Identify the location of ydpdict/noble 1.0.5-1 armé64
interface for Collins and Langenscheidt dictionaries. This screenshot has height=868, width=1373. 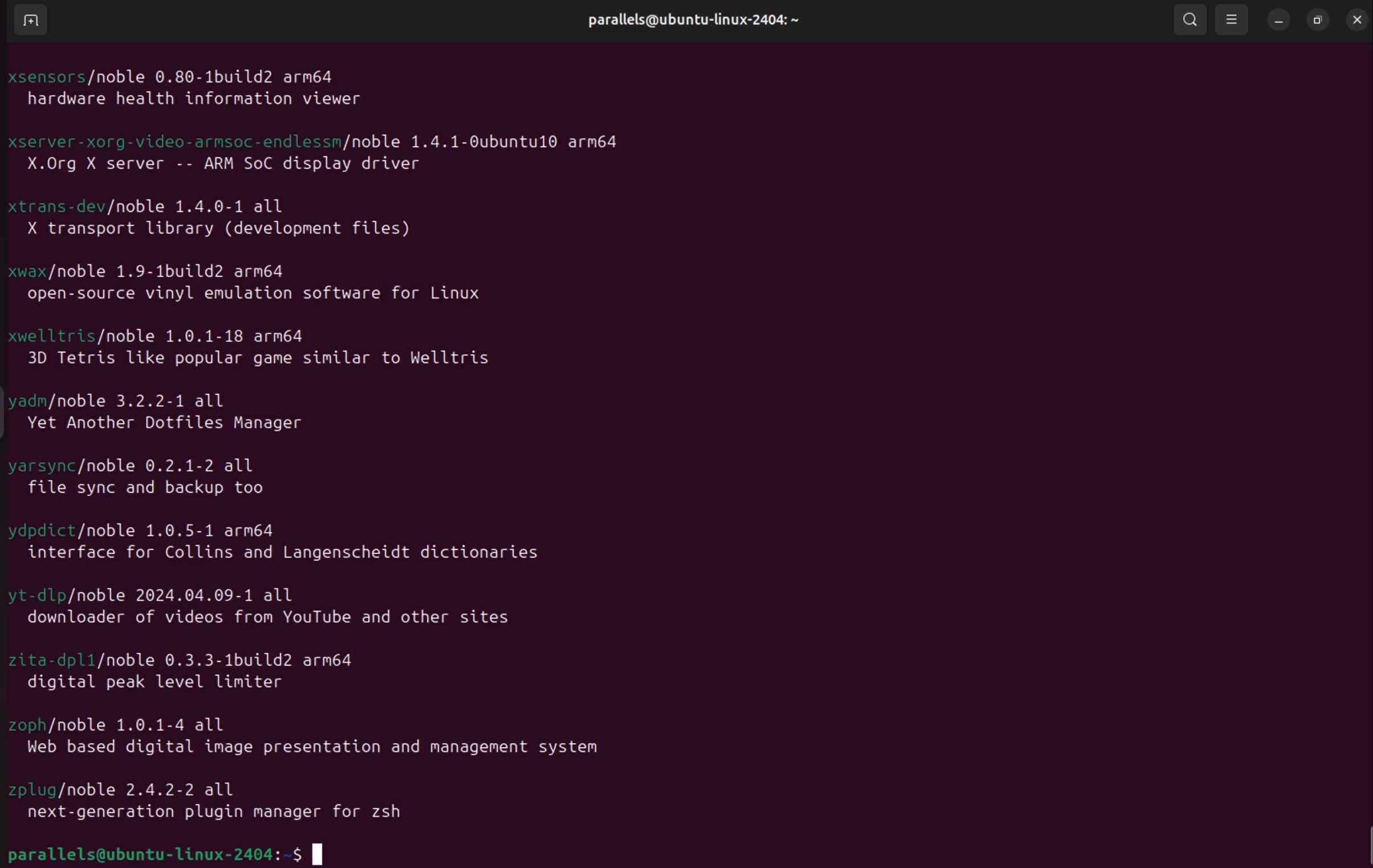
(279, 537).